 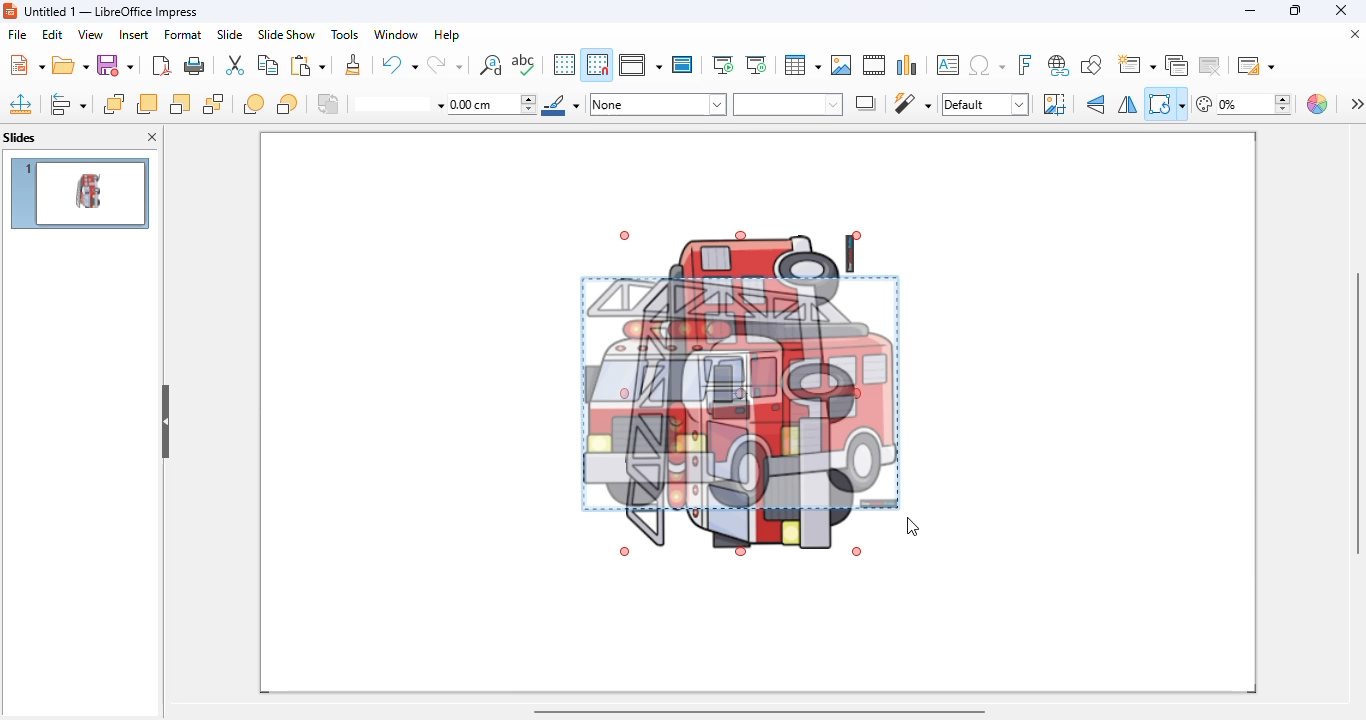 What do you see at coordinates (1357, 411) in the screenshot?
I see `vertical scroll bar` at bounding box center [1357, 411].